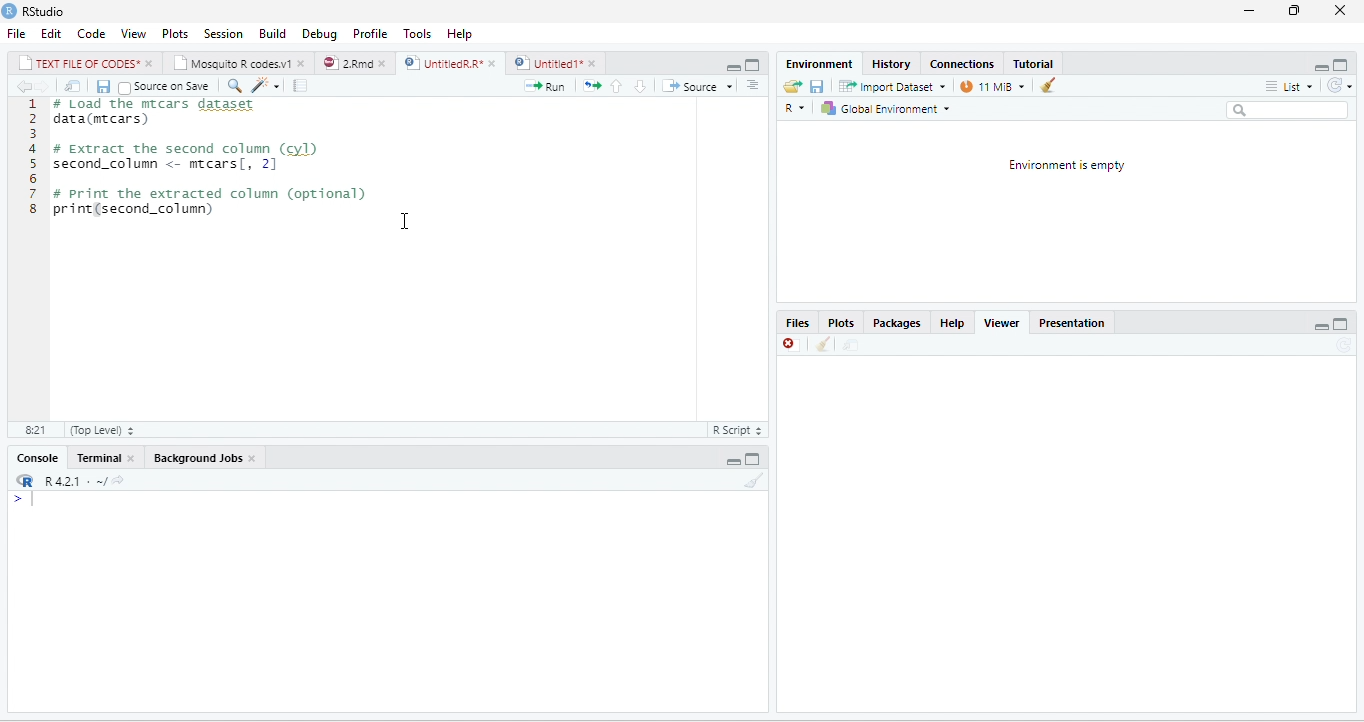 This screenshot has height=722, width=1364. Describe the element at coordinates (22, 86) in the screenshot. I see `previous ` at that location.